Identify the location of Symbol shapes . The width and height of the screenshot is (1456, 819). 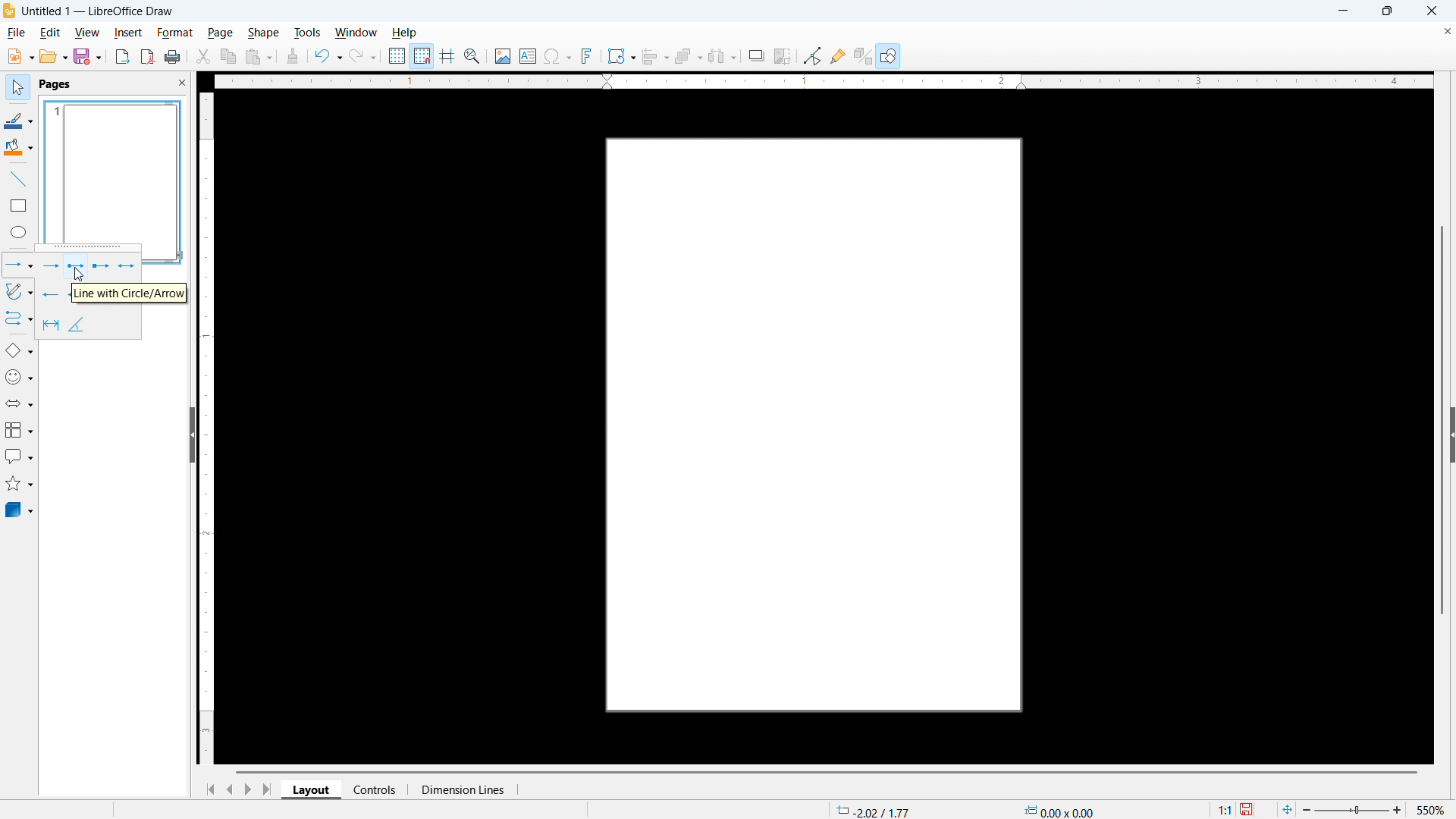
(19, 377).